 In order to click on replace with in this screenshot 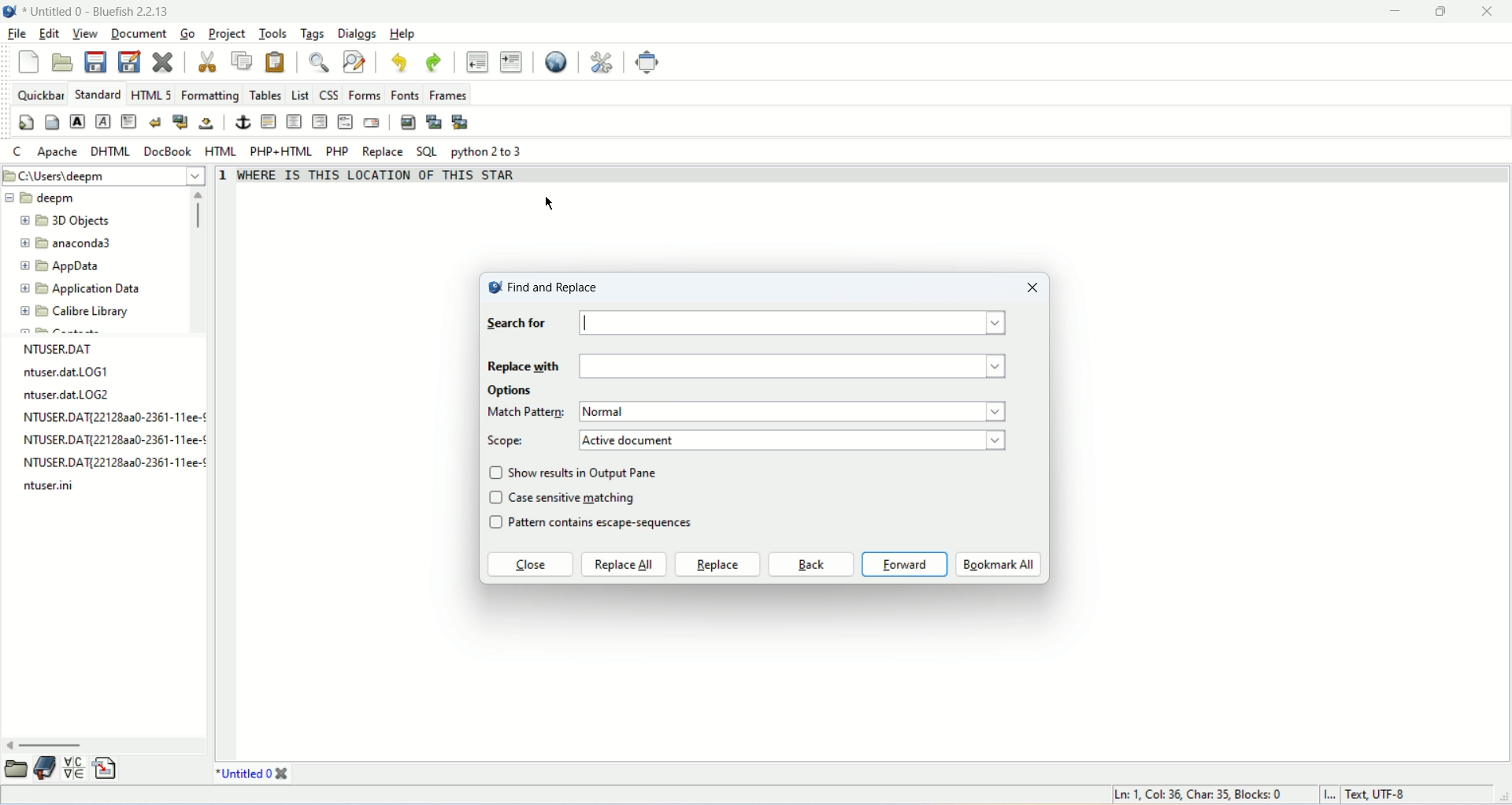, I will do `click(793, 367)`.